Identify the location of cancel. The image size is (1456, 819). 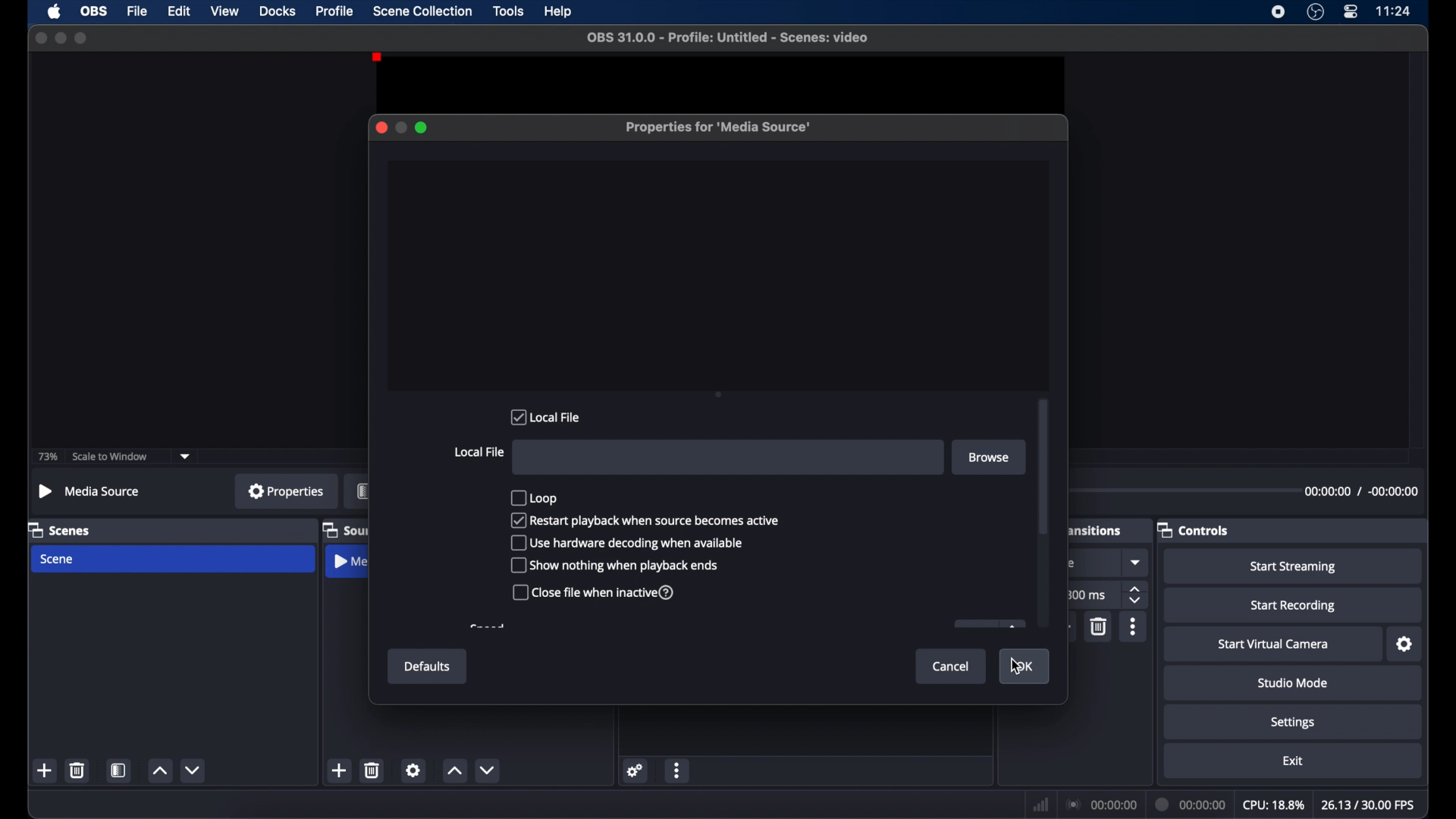
(952, 665).